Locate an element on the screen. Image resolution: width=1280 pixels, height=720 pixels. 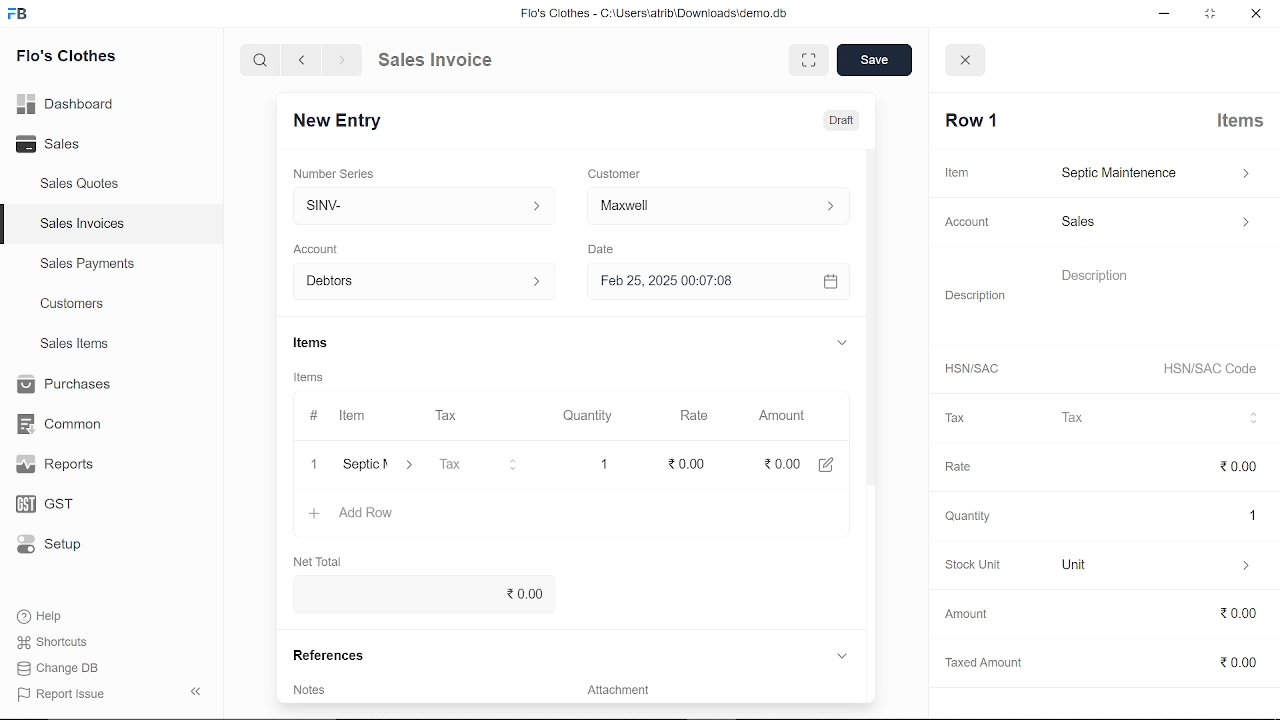
Account is located at coordinates (970, 222).